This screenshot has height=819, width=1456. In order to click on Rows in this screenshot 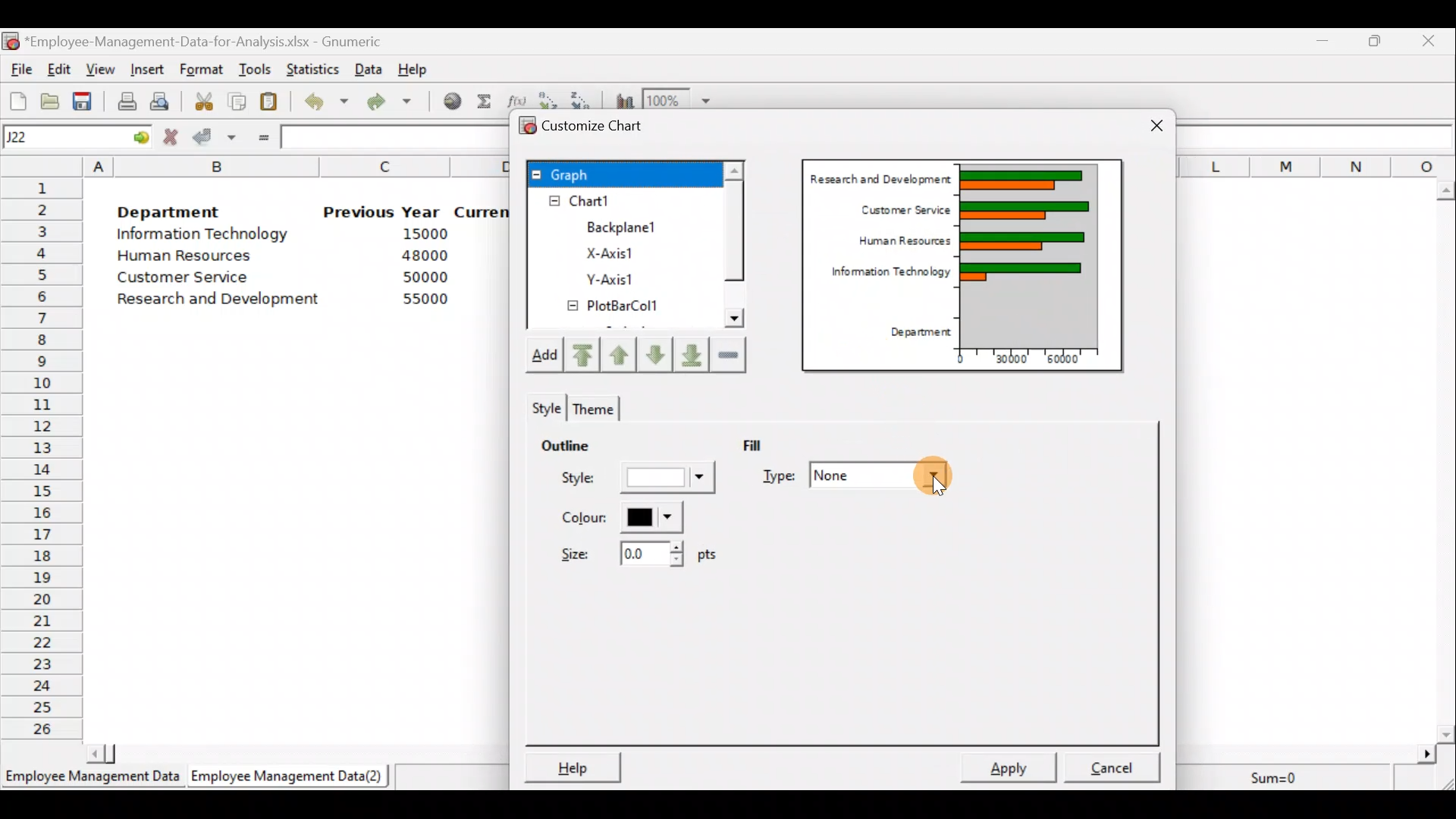, I will do `click(42, 460)`.